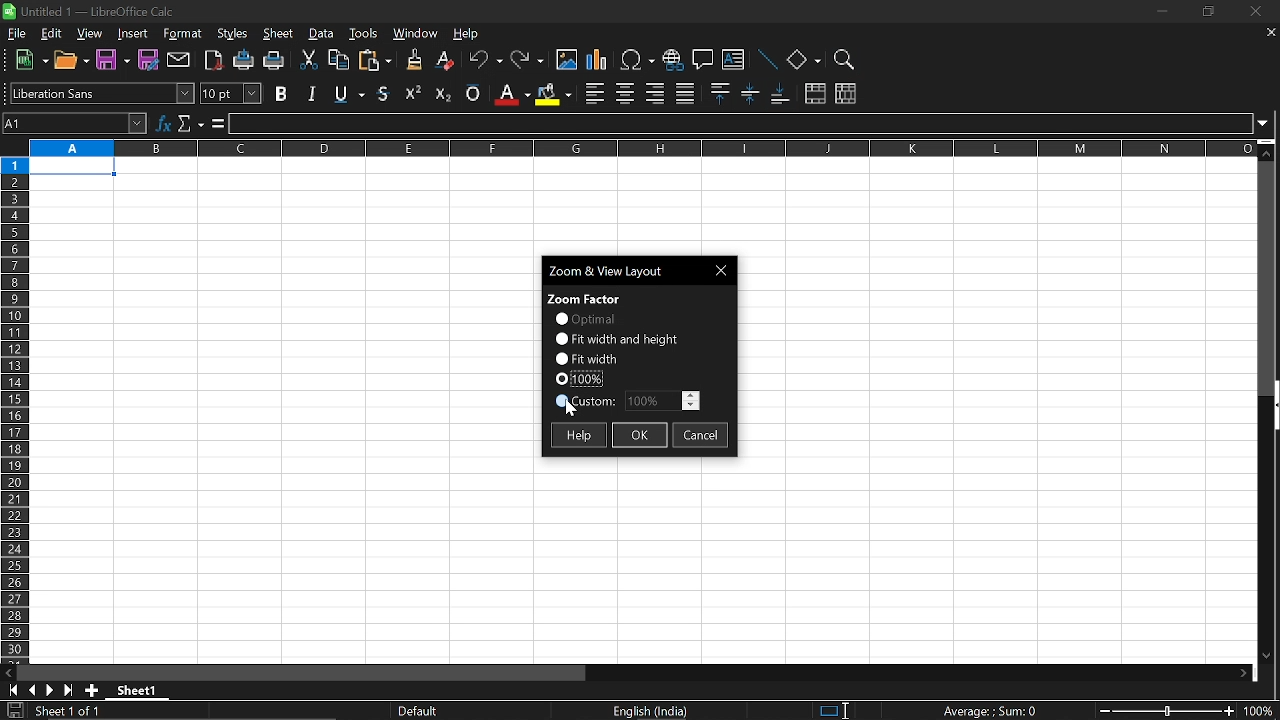 This screenshot has width=1280, height=720. I want to click on name box, so click(76, 123).